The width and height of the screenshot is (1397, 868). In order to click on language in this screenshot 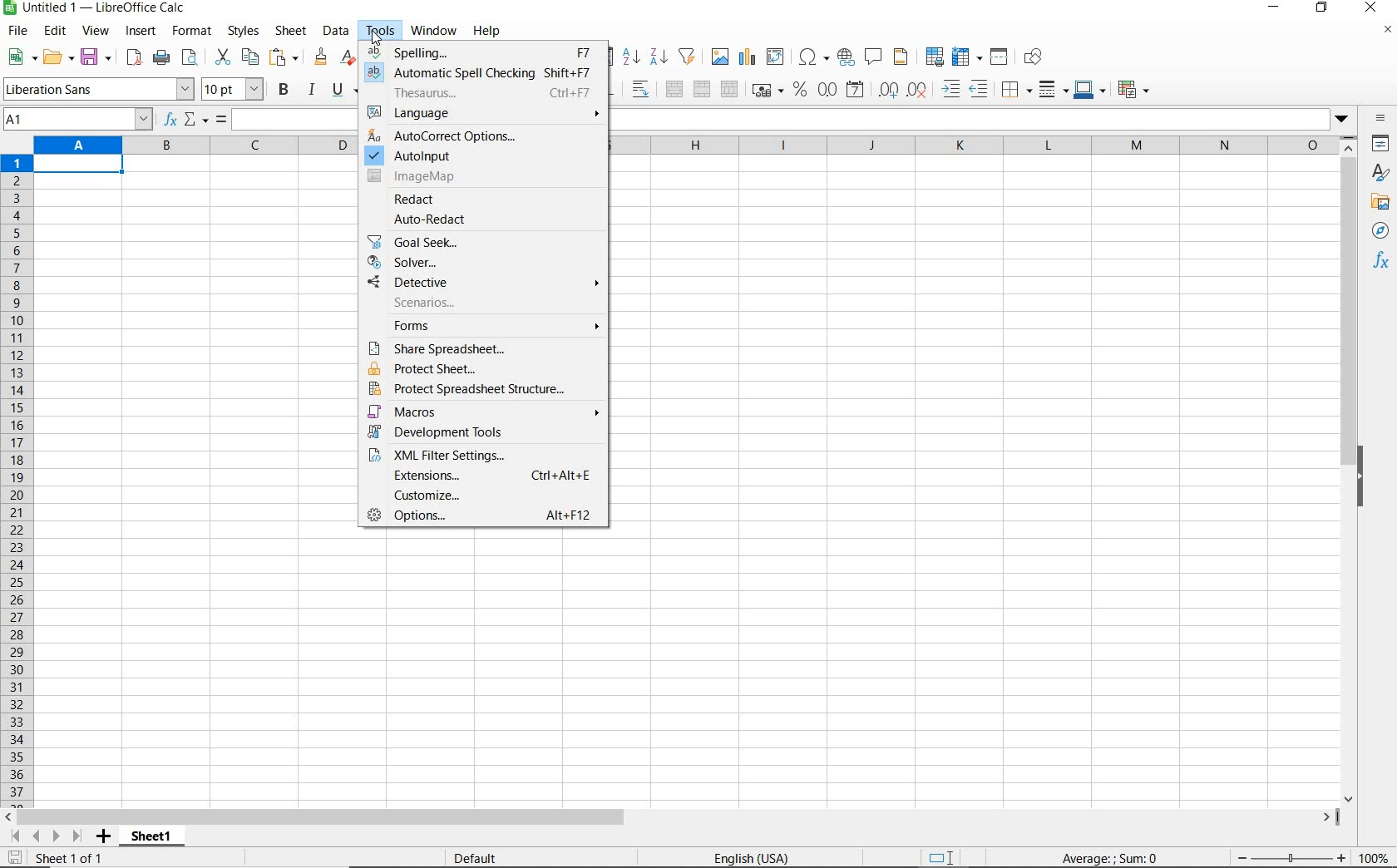, I will do `click(485, 114)`.